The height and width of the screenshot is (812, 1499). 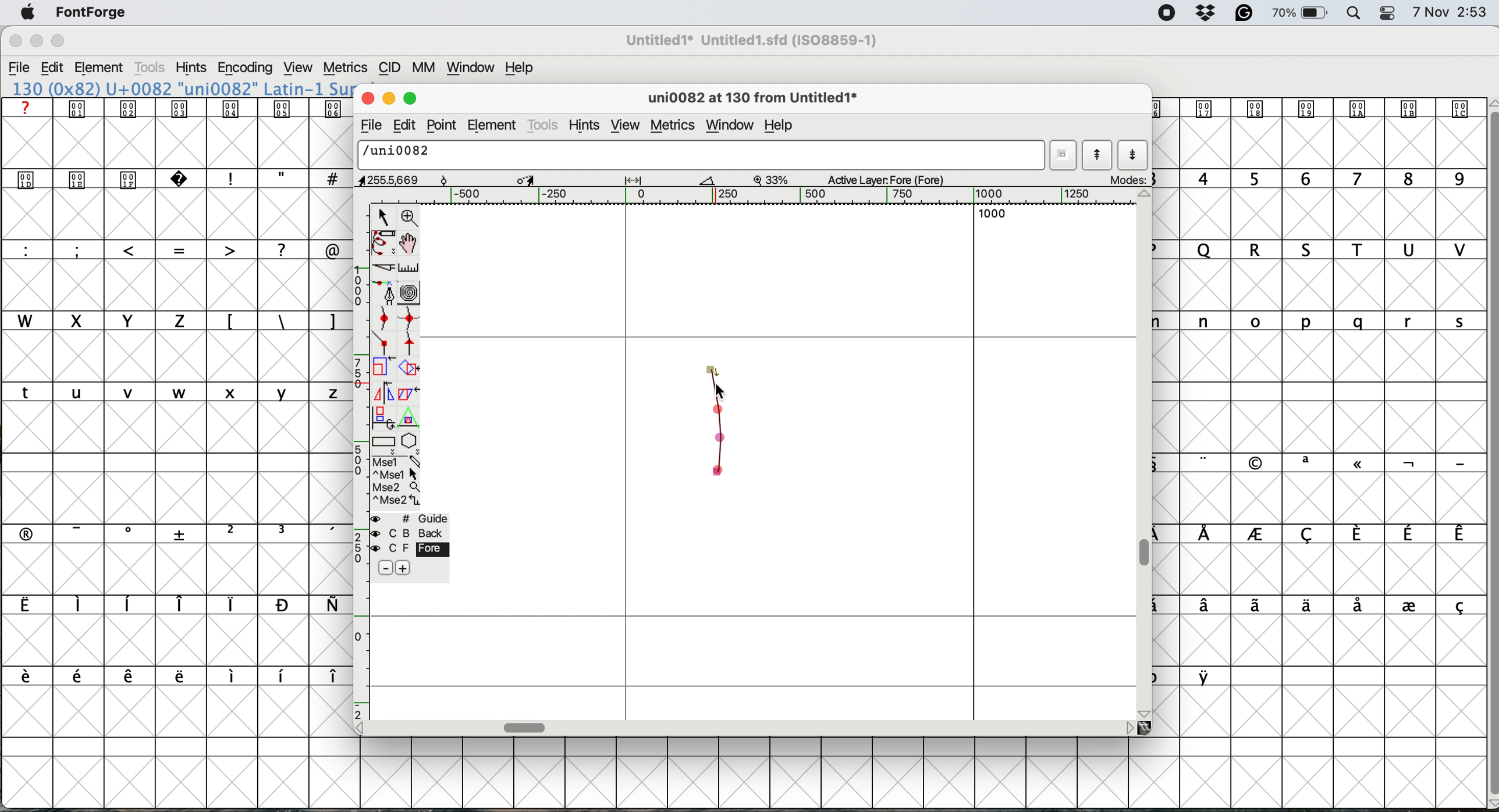 What do you see at coordinates (1208, 13) in the screenshot?
I see `dropbox` at bounding box center [1208, 13].